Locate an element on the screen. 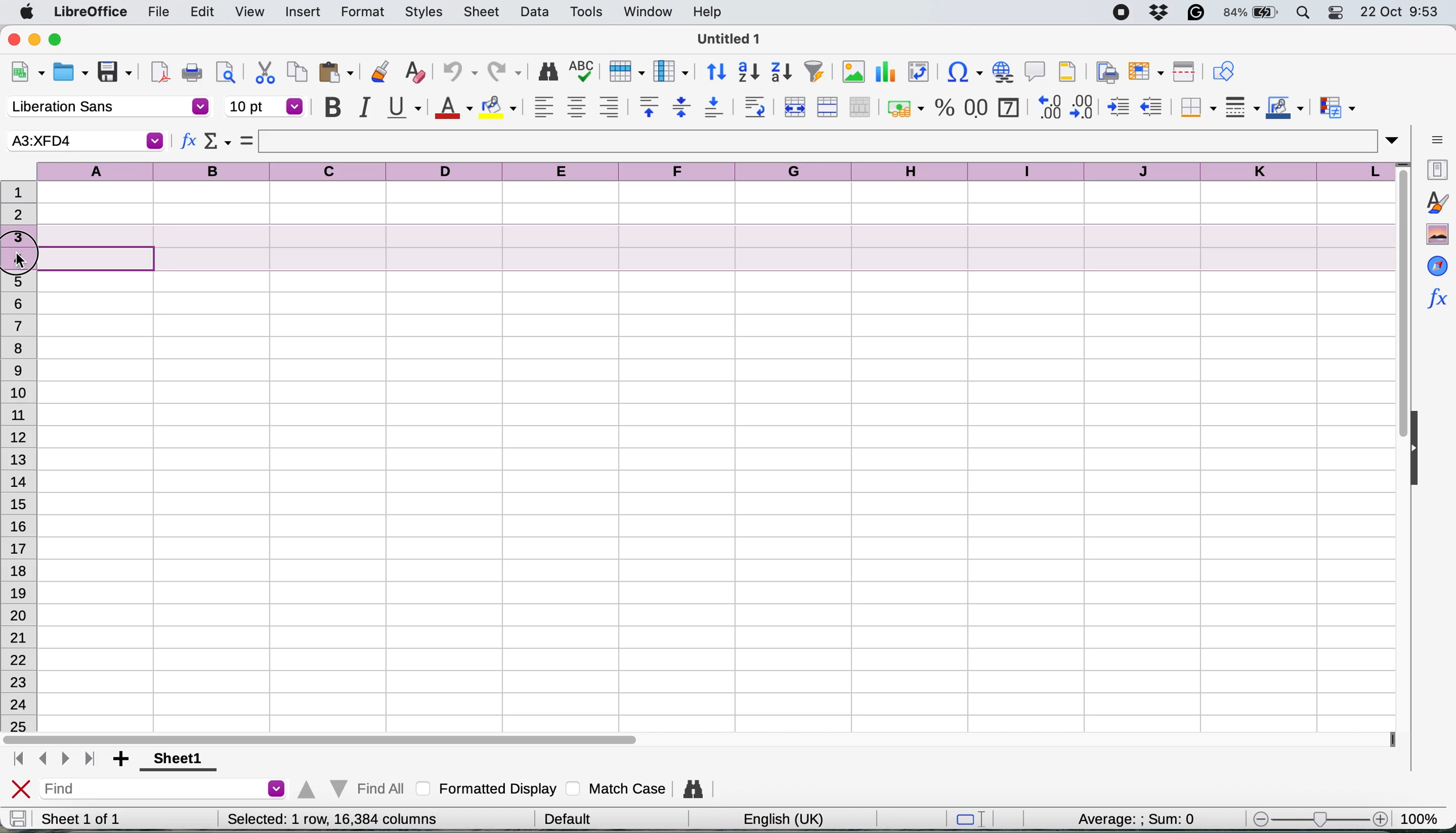 Image resolution: width=1456 pixels, height=833 pixels. properties is located at coordinates (1435, 168).